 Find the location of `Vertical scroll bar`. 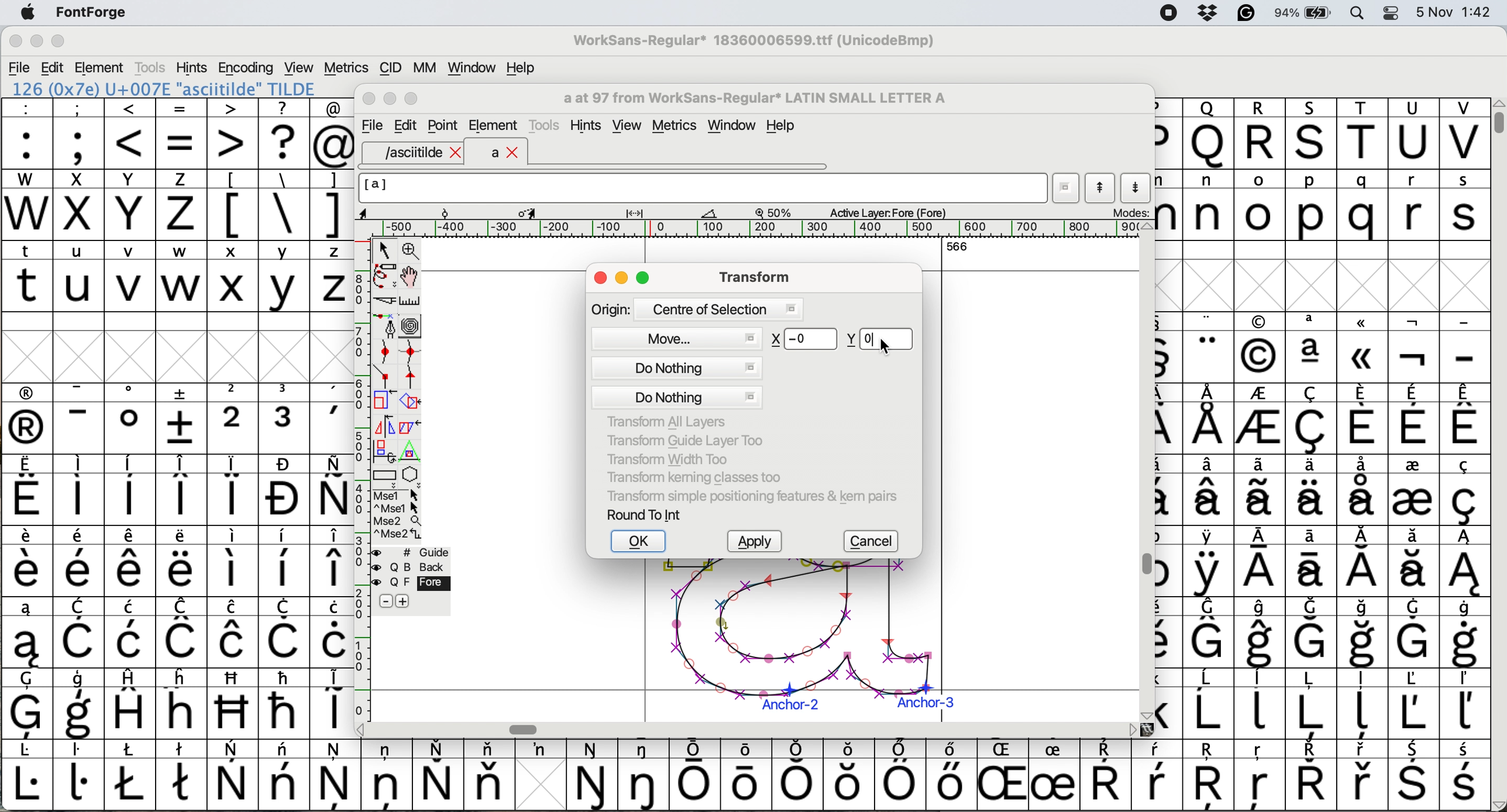

Vertical scroll bar is located at coordinates (1143, 566).